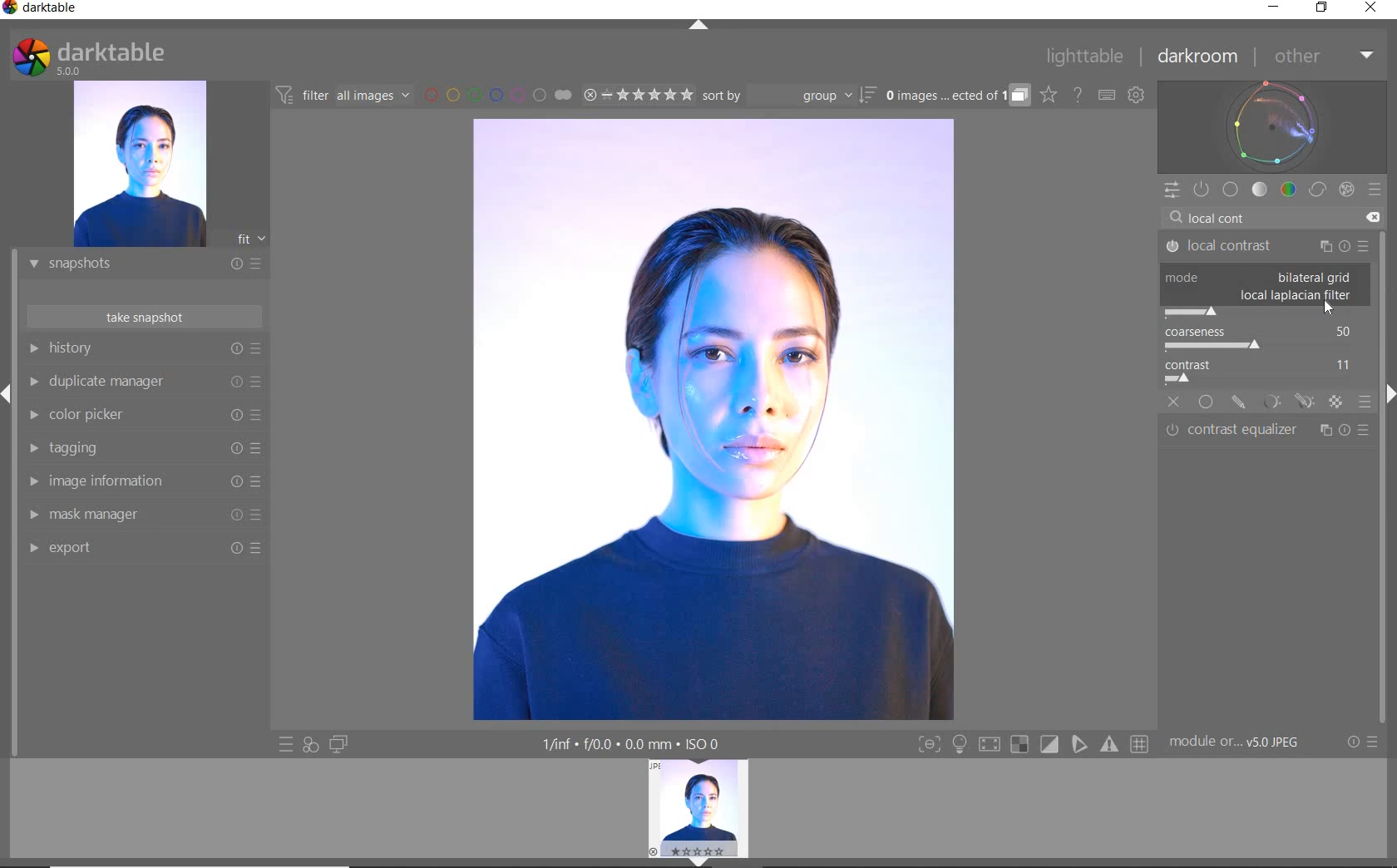 The width and height of the screenshot is (1397, 868). I want to click on MASK OPTION, so click(1305, 402).